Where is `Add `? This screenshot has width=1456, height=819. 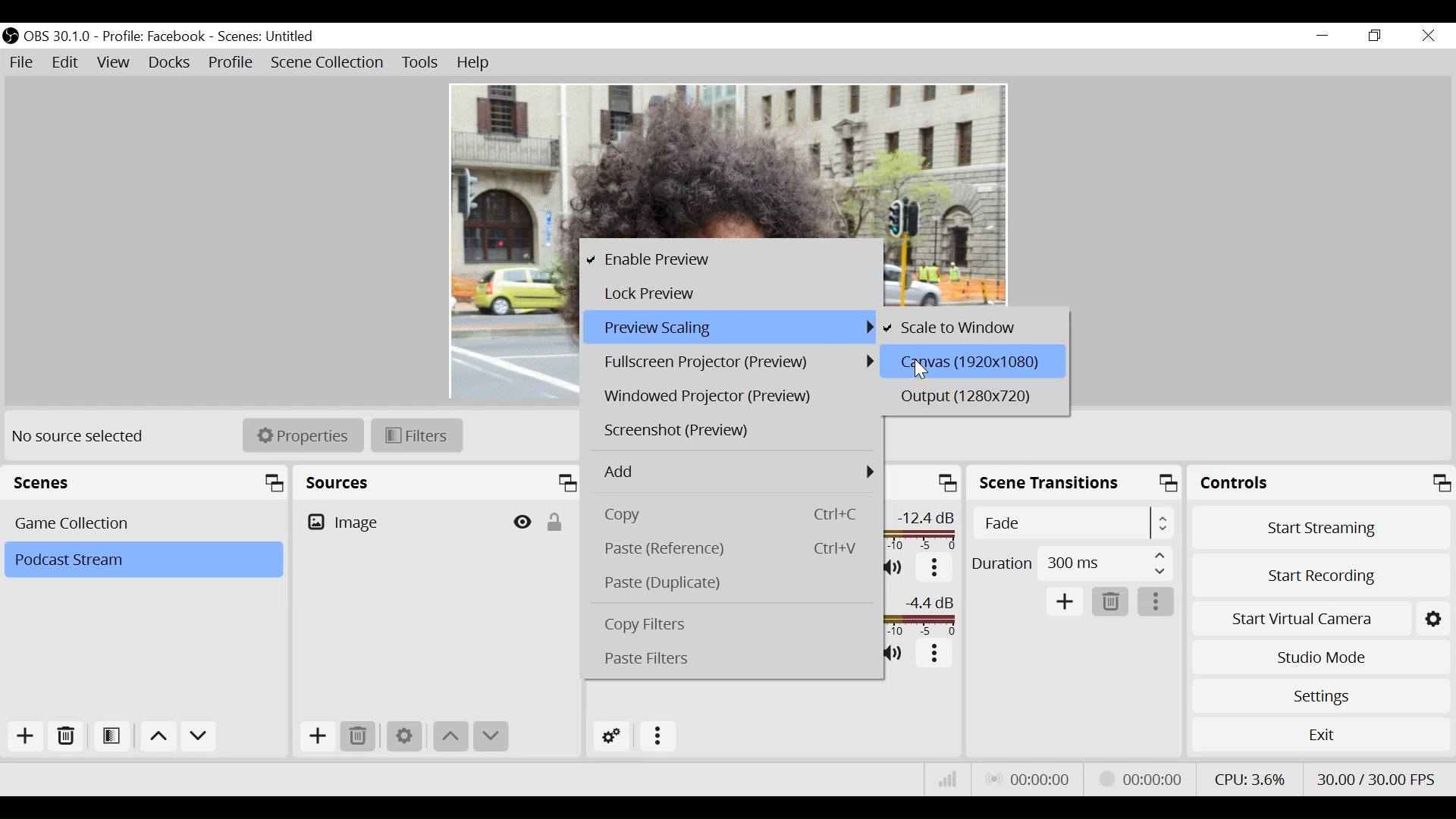
Add  is located at coordinates (1066, 601).